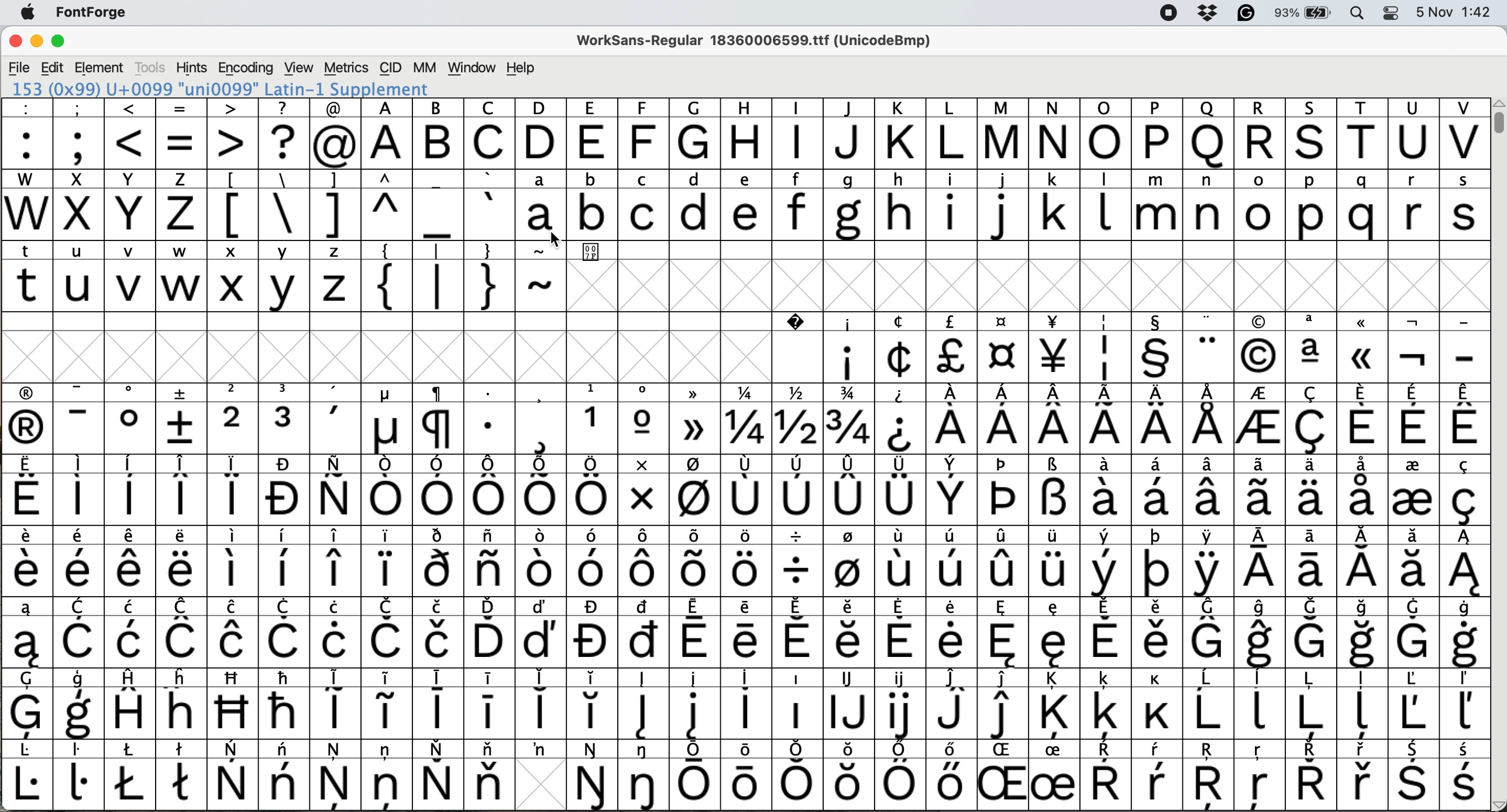 Image resolution: width=1507 pixels, height=812 pixels. What do you see at coordinates (646, 775) in the screenshot?
I see `symbol` at bounding box center [646, 775].